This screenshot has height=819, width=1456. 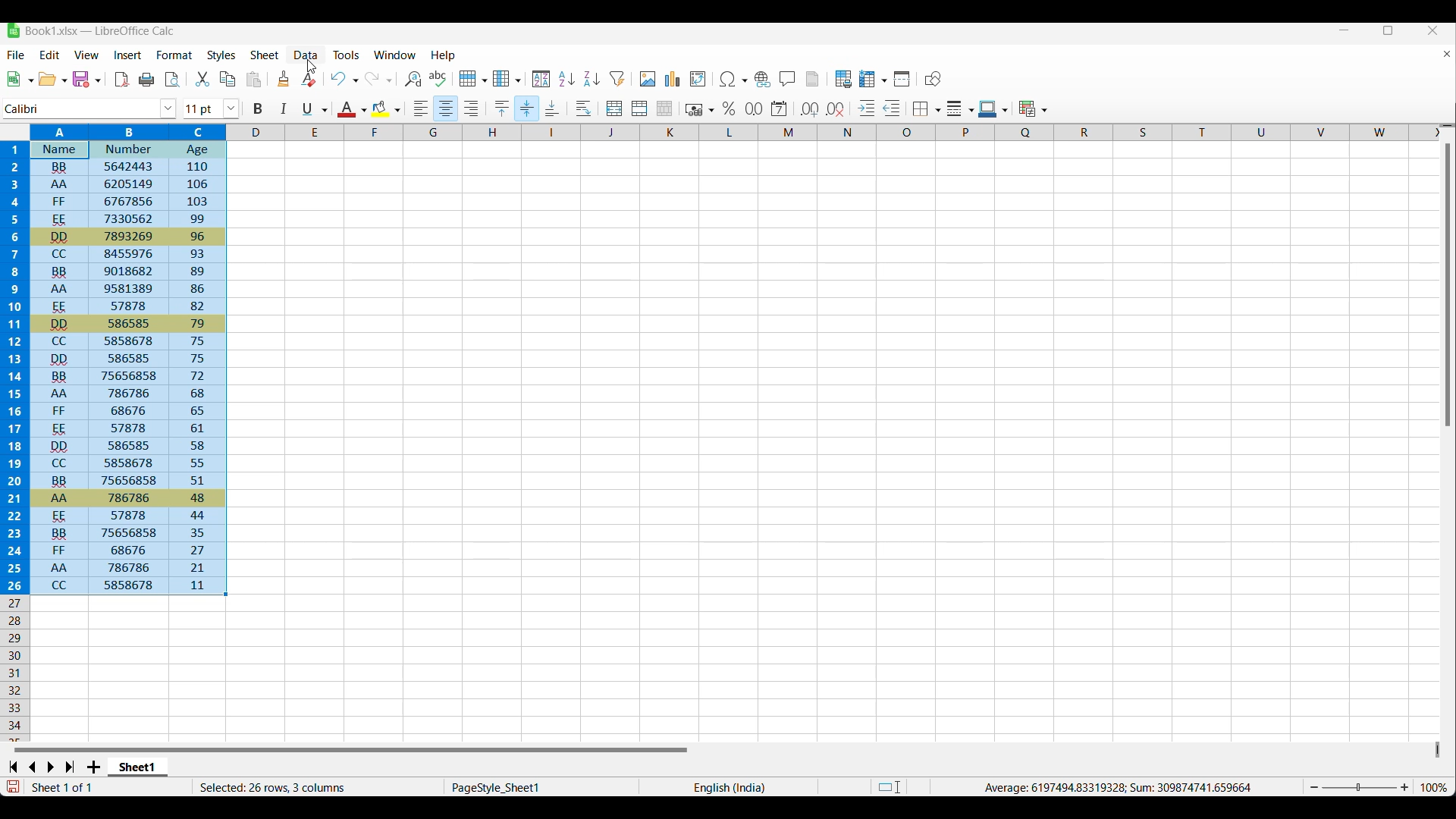 I want to click on Define print area, so click(x=844, y=79).